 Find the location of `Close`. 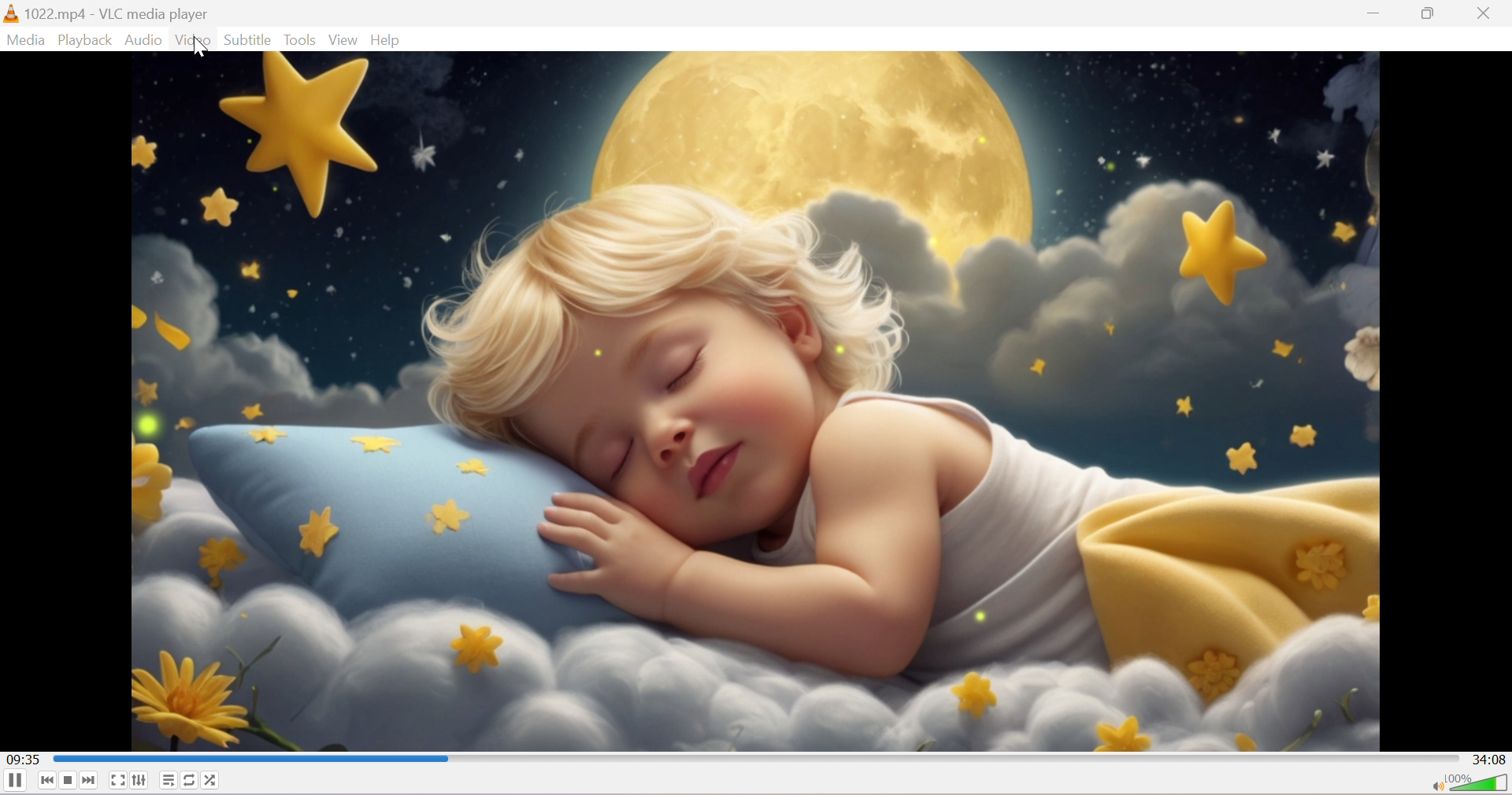

Close is located at coordinates (1488, 13).